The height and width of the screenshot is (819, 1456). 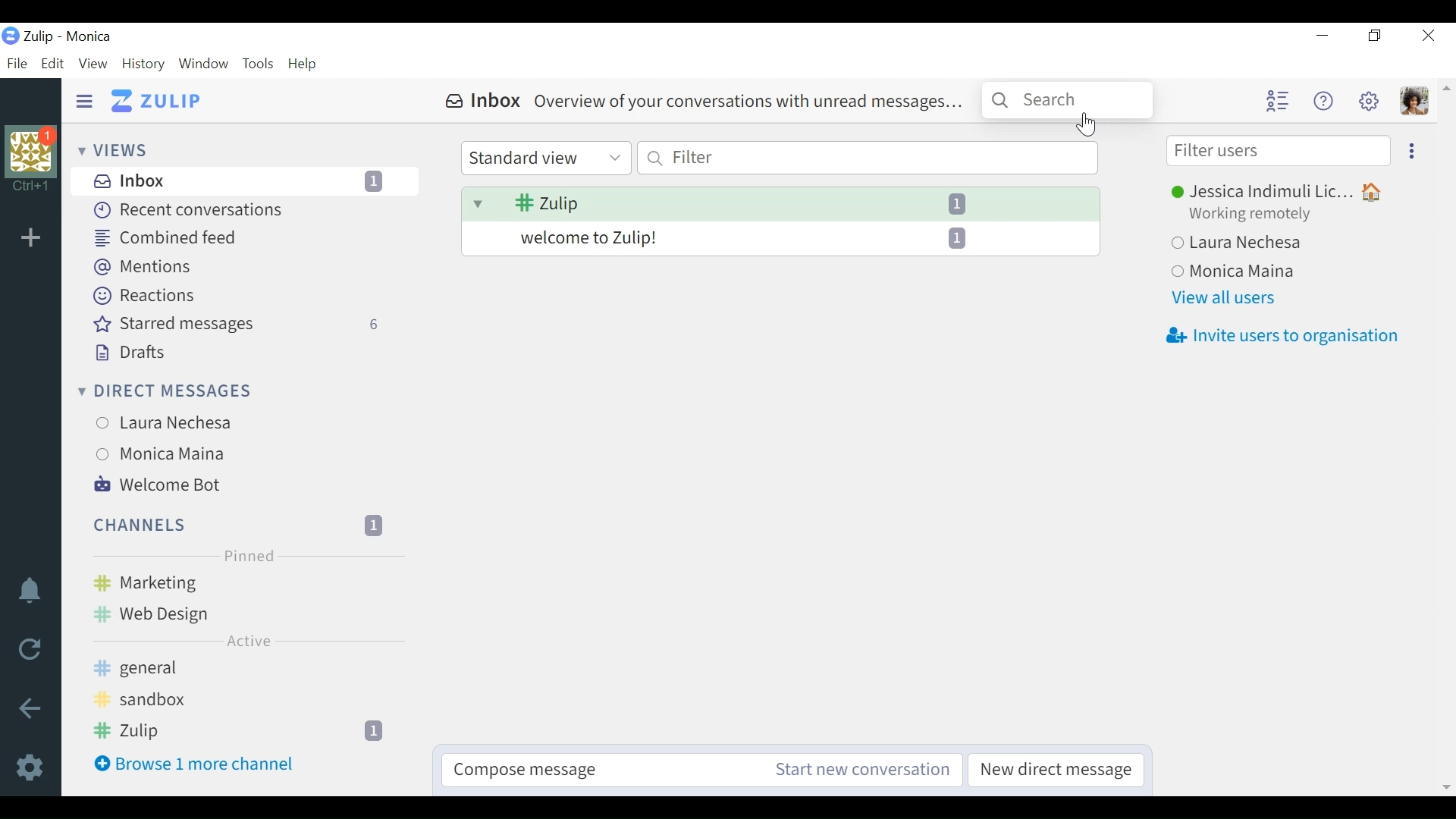 I want to click on New direct message, so click(x=1062, y=770).